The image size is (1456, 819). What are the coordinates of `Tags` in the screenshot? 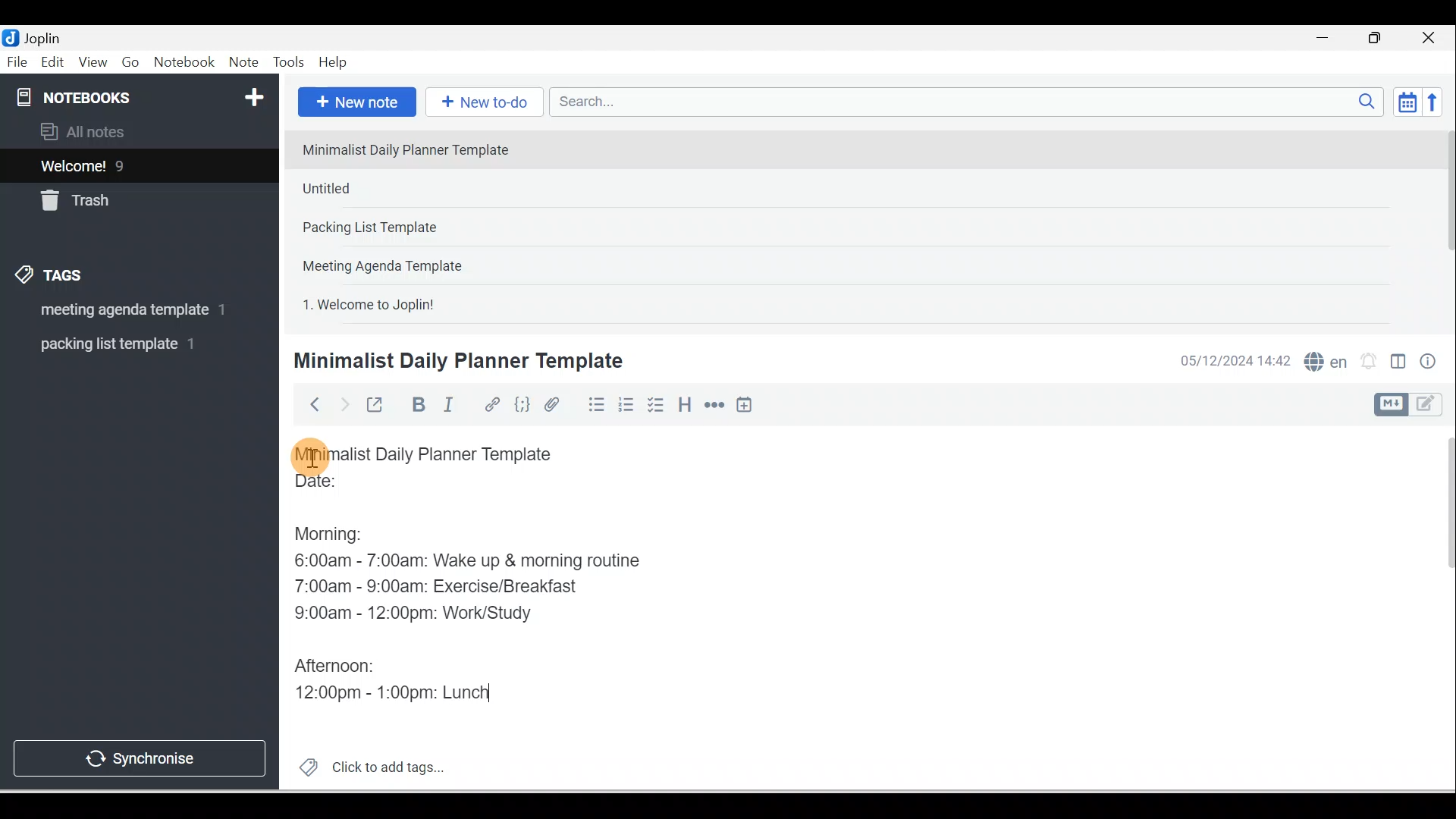 It's located at (54, 278).